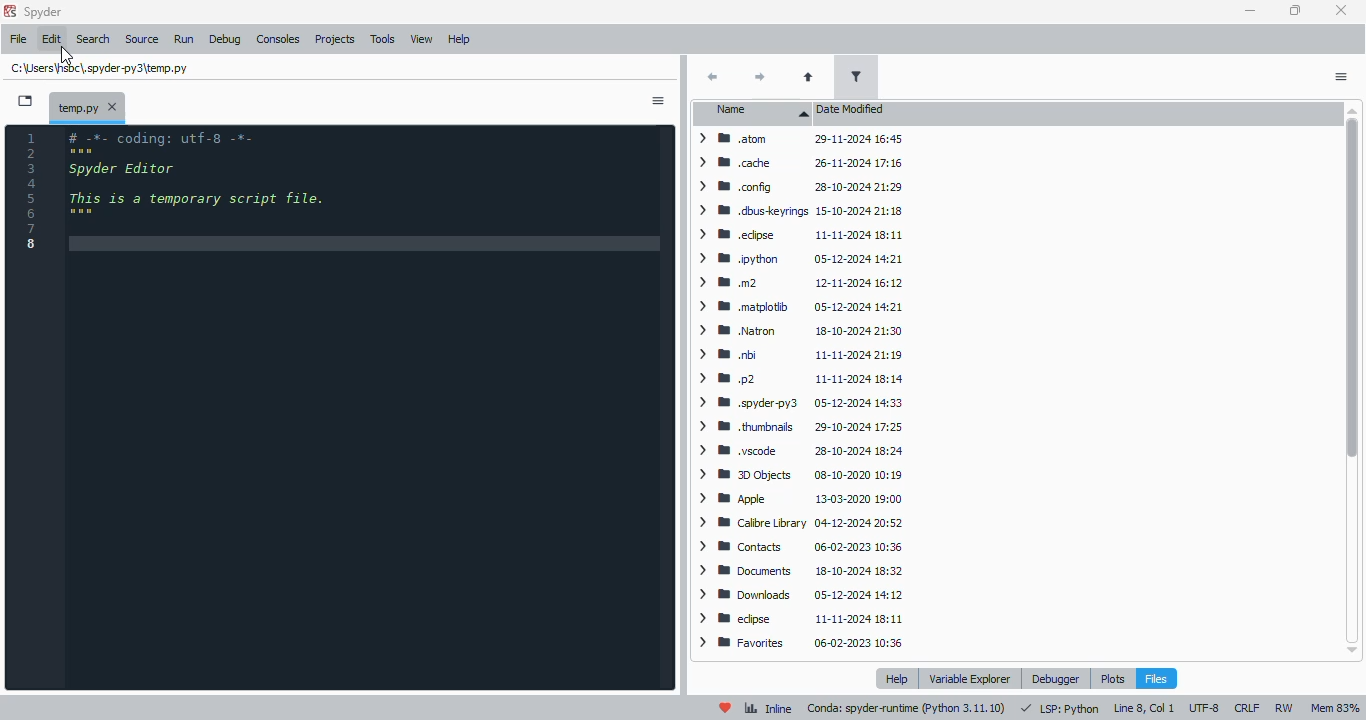 Image resolution: width=1366 pixels, height=720 pixels. I want to click on maximize, so click(1296, 10).